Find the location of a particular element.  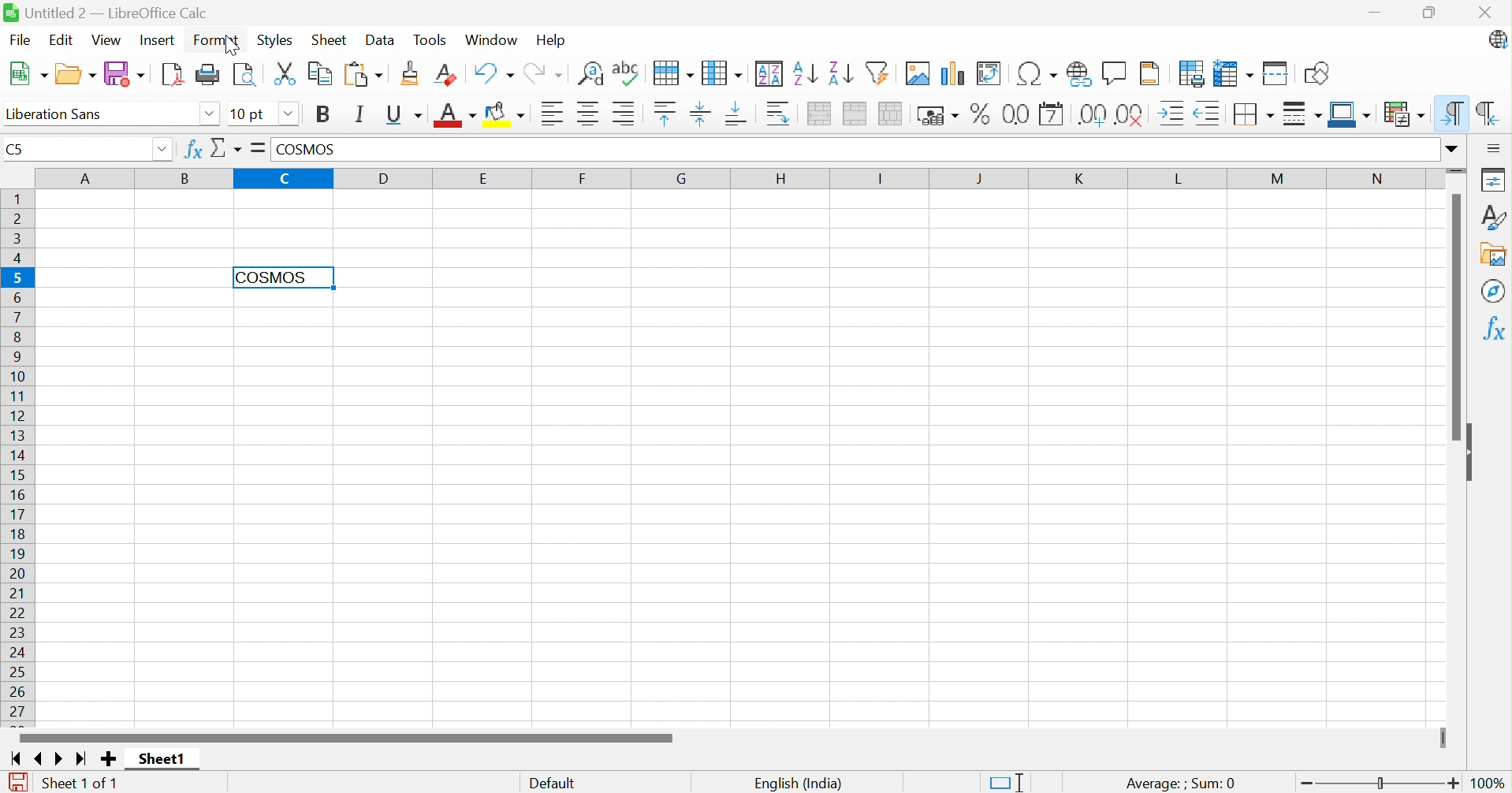

Format is located at coordinates (215, 40).